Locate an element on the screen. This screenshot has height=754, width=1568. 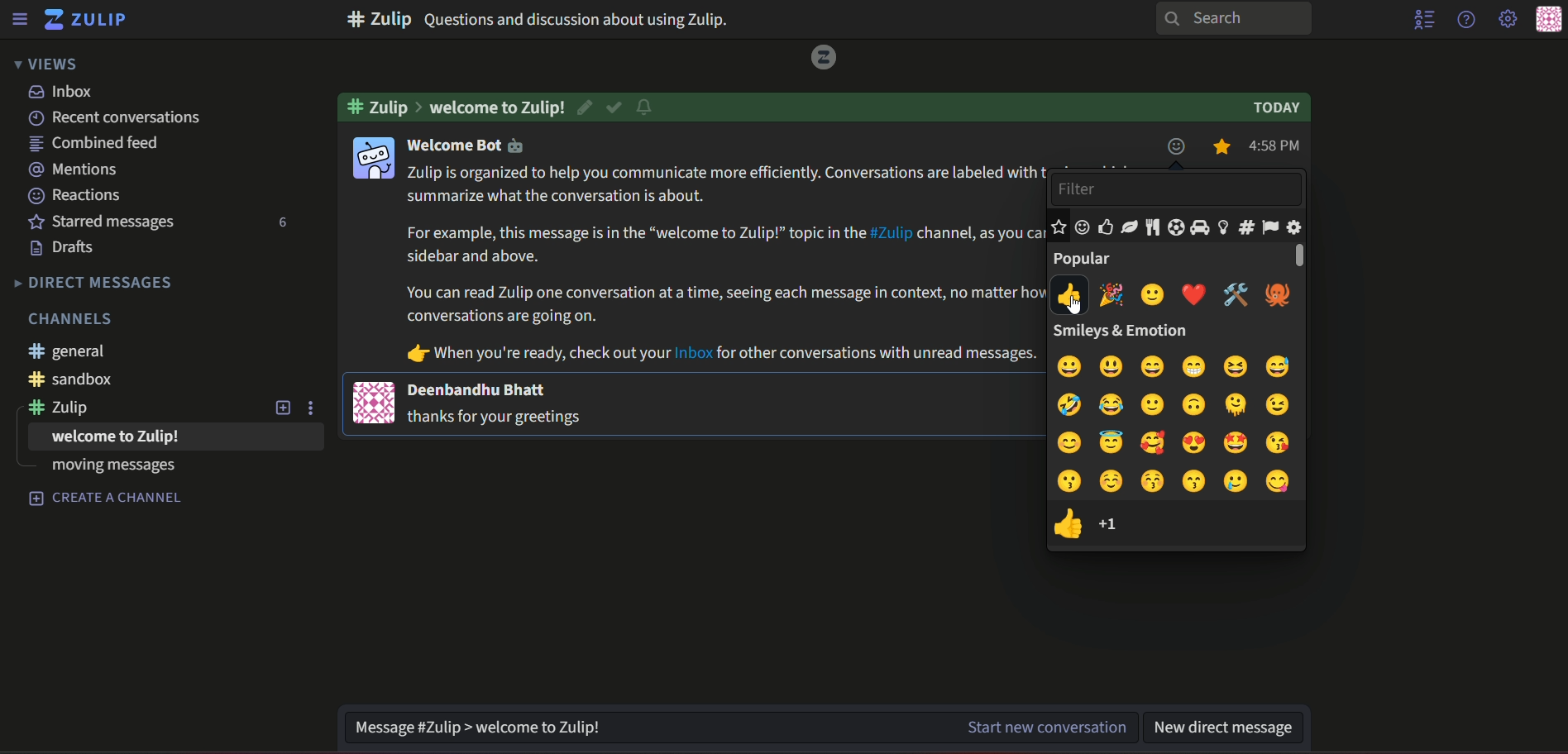
emojis is located at coordinates (1177, 146).